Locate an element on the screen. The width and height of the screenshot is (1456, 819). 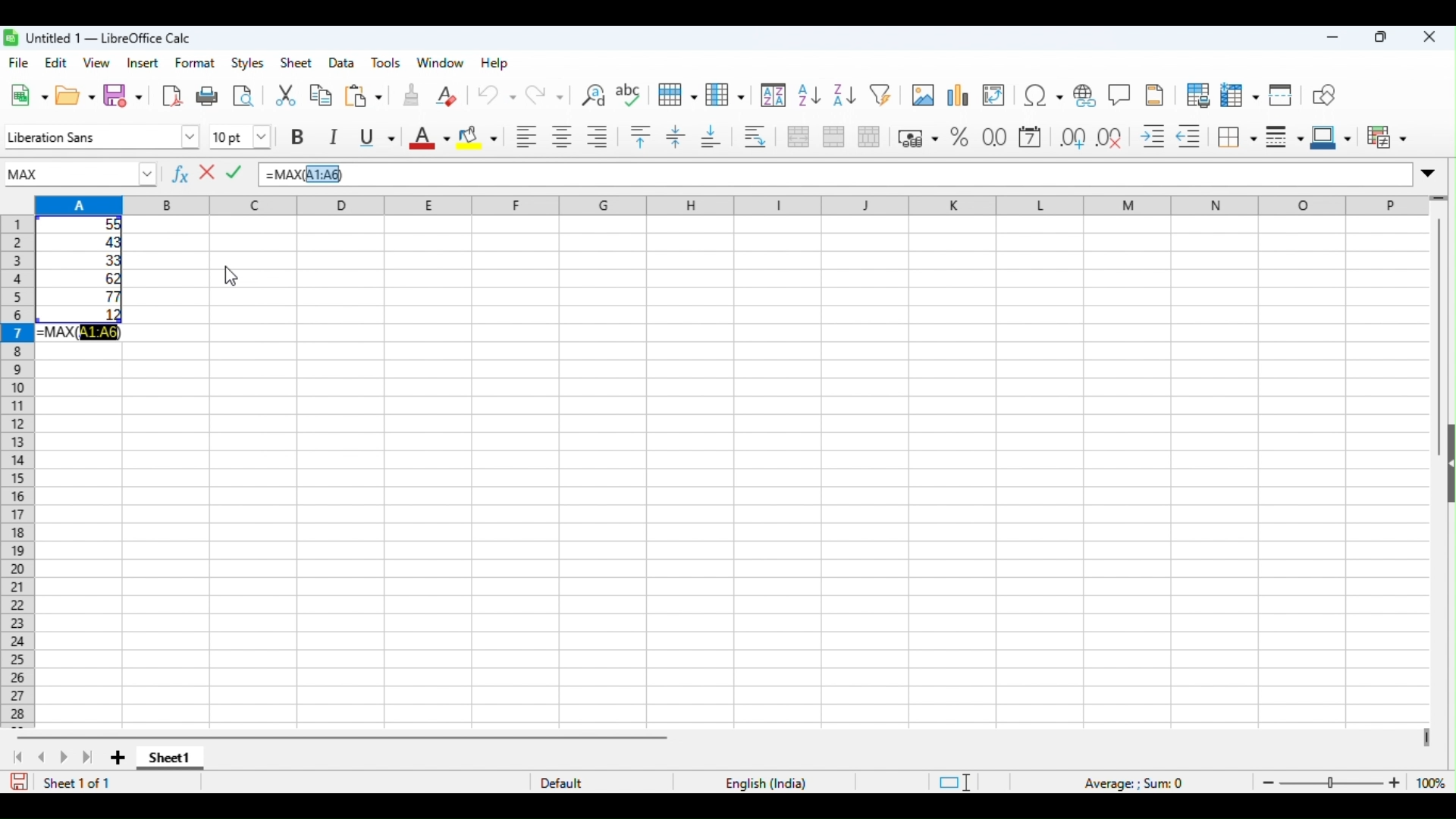
language is located at coordinates (764, 782).